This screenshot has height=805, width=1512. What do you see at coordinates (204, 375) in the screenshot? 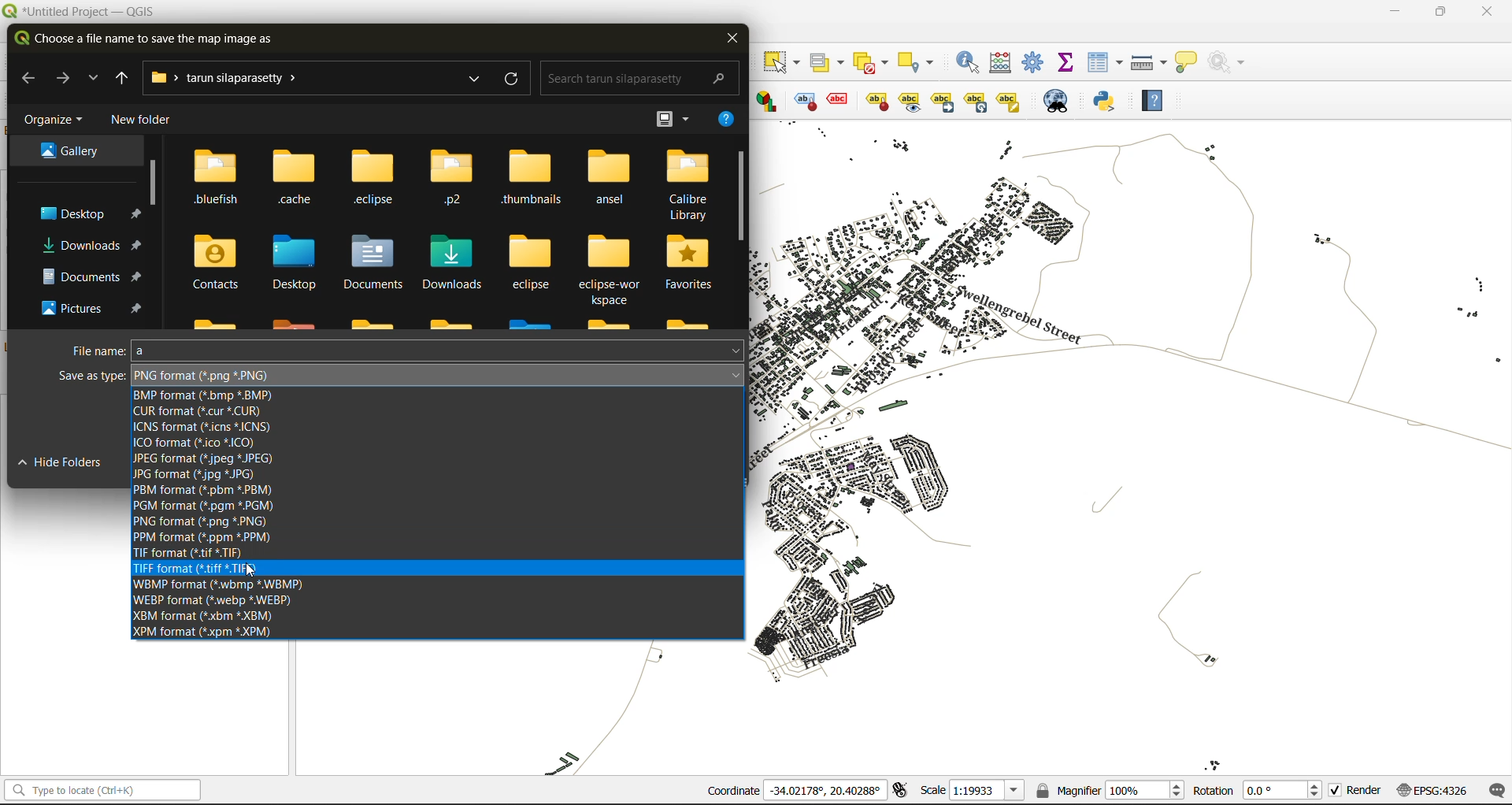
I see `png` at bounding box center [204, 375].